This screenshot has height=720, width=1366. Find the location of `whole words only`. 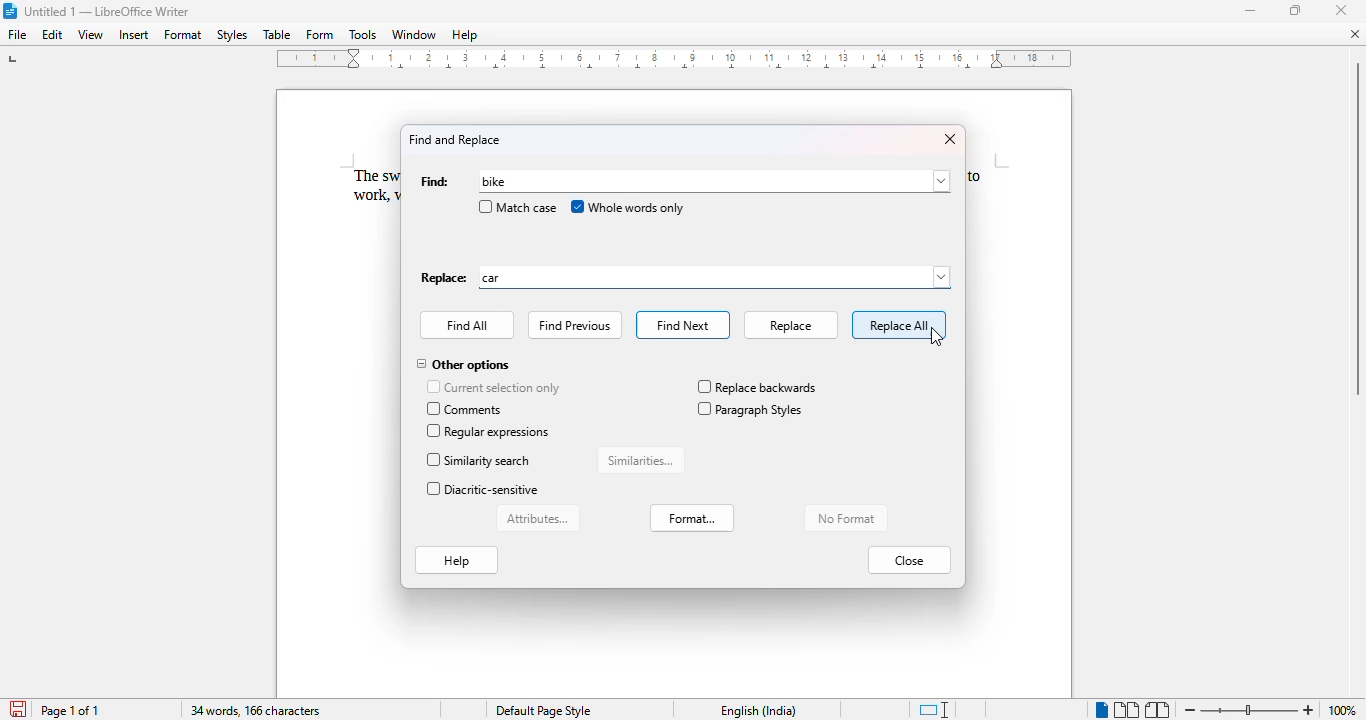

whole words only is located at coordinates (628, 207).